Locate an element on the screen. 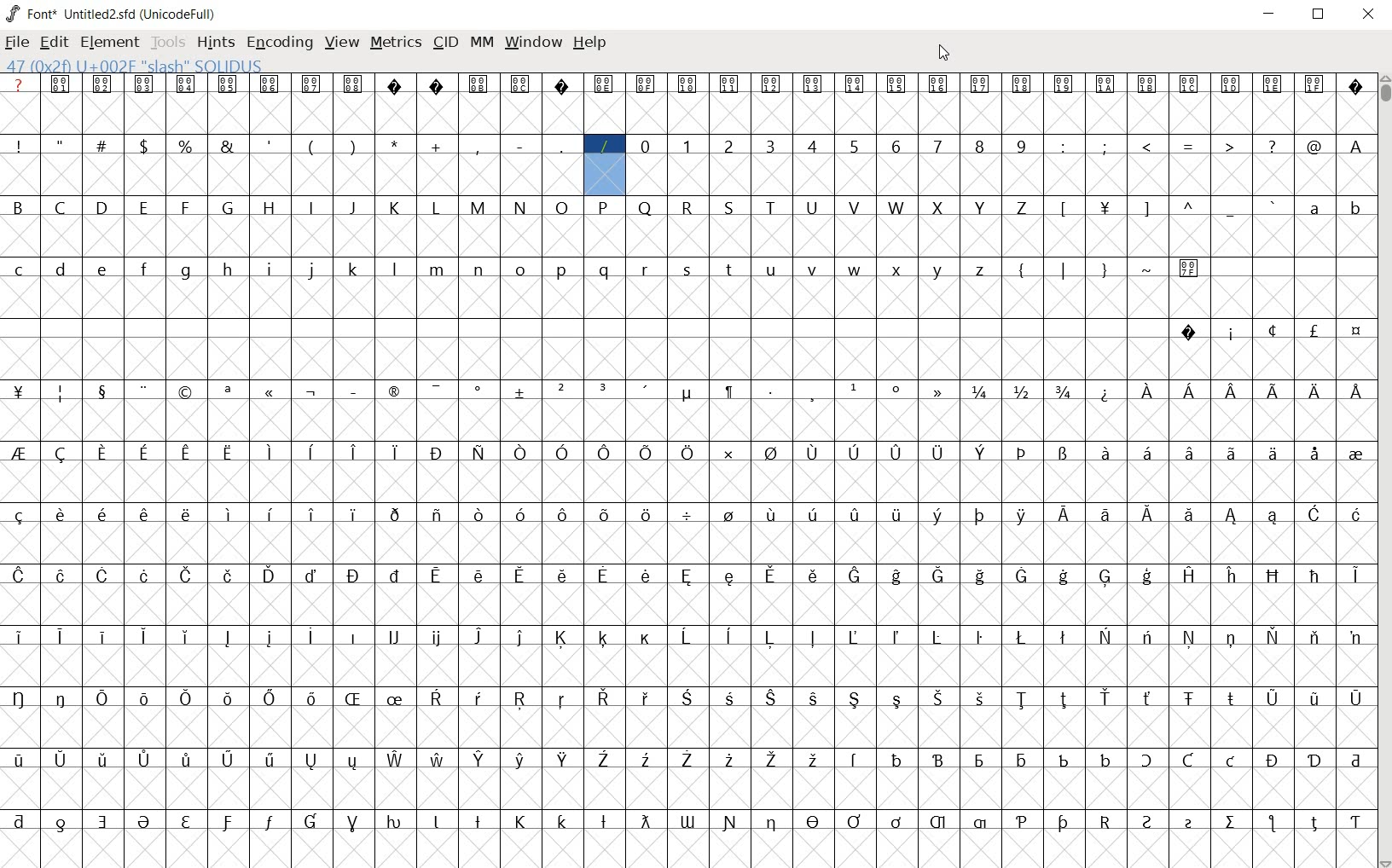  glyph is located at coordinates (311, 206).